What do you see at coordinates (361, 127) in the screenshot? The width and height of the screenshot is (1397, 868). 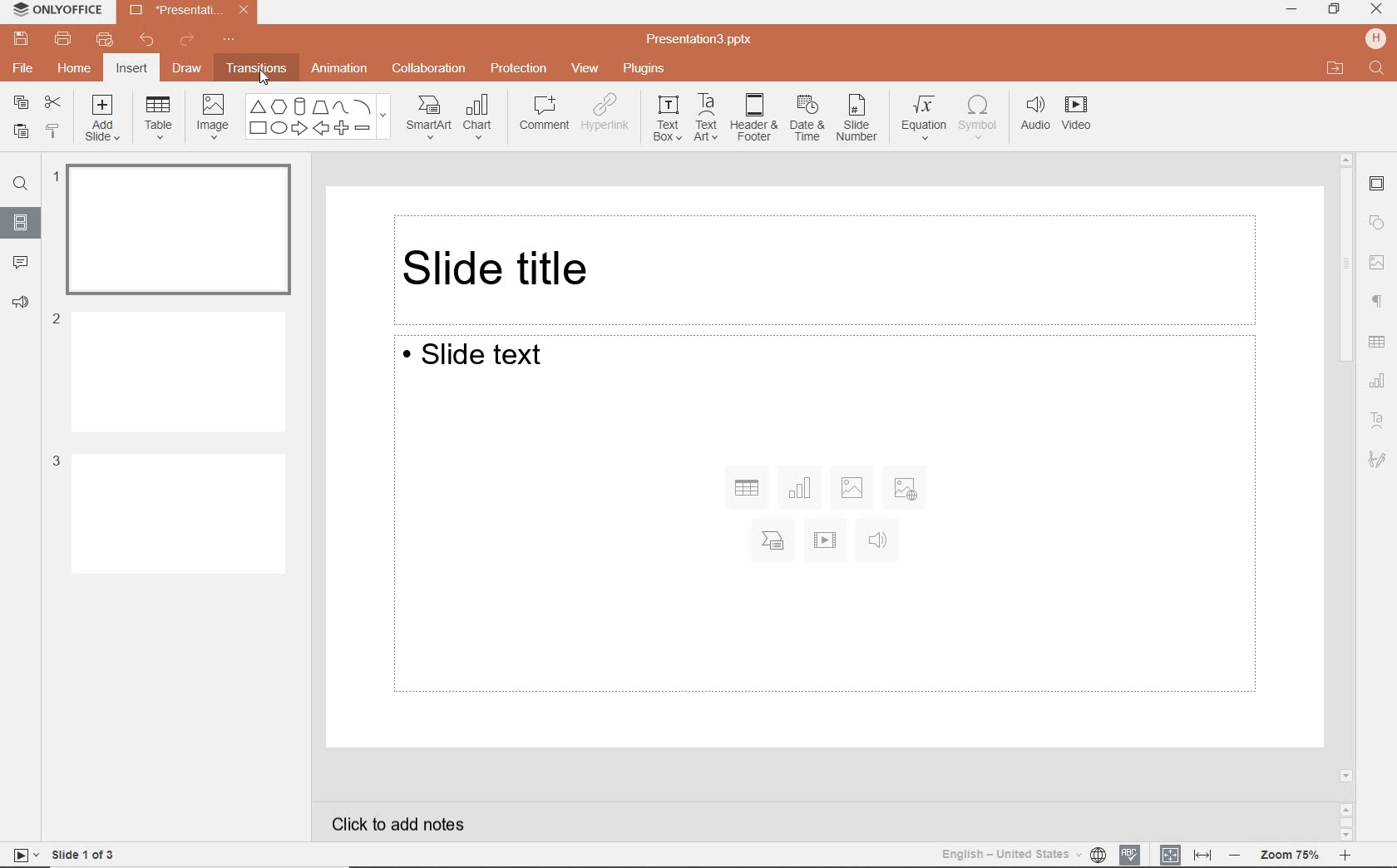 I see `DEDUCT SIGN` at bounding box center [361, 127].